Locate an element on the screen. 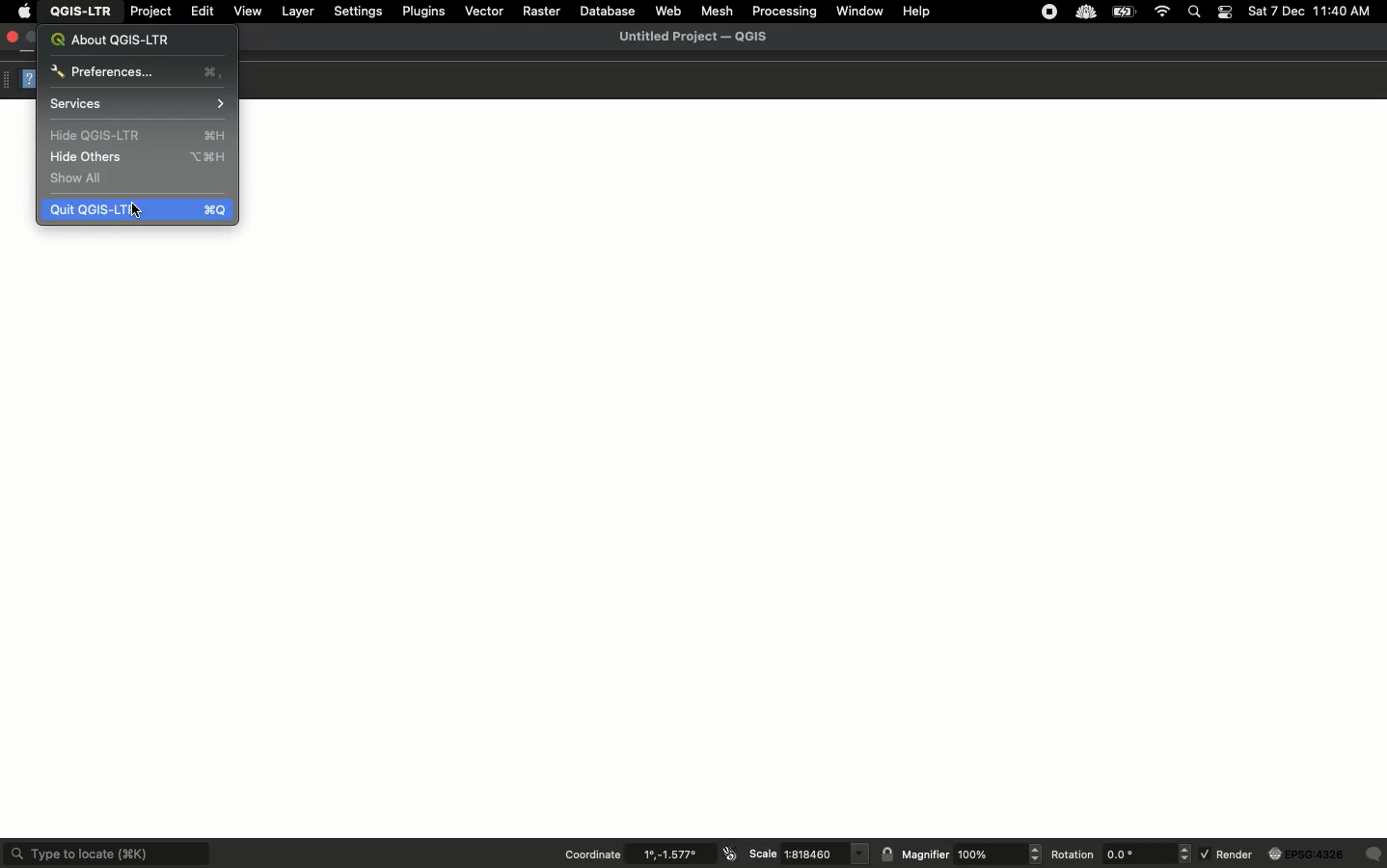 The image size is (1387, 868). Untitled is located at coordinates (700, 40).